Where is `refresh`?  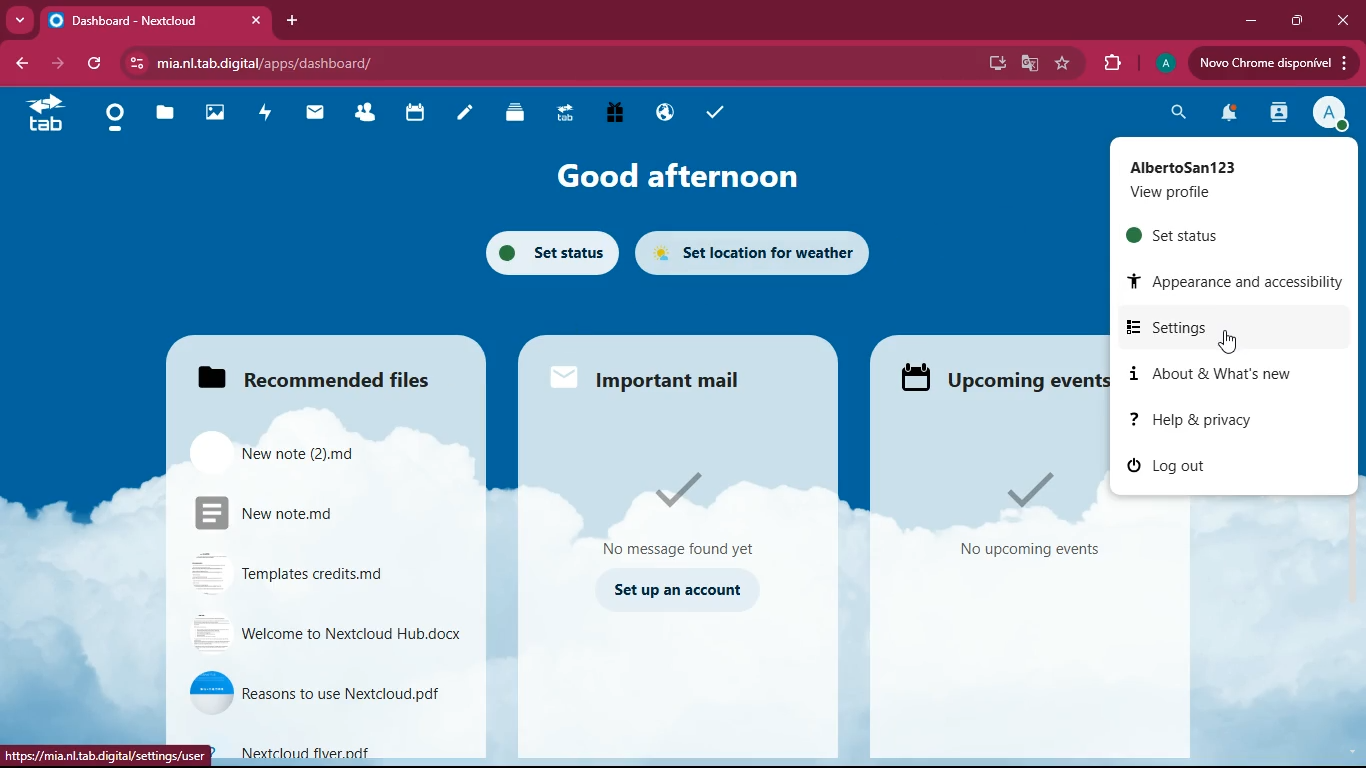 refresh is located at coordinates (97, 62).